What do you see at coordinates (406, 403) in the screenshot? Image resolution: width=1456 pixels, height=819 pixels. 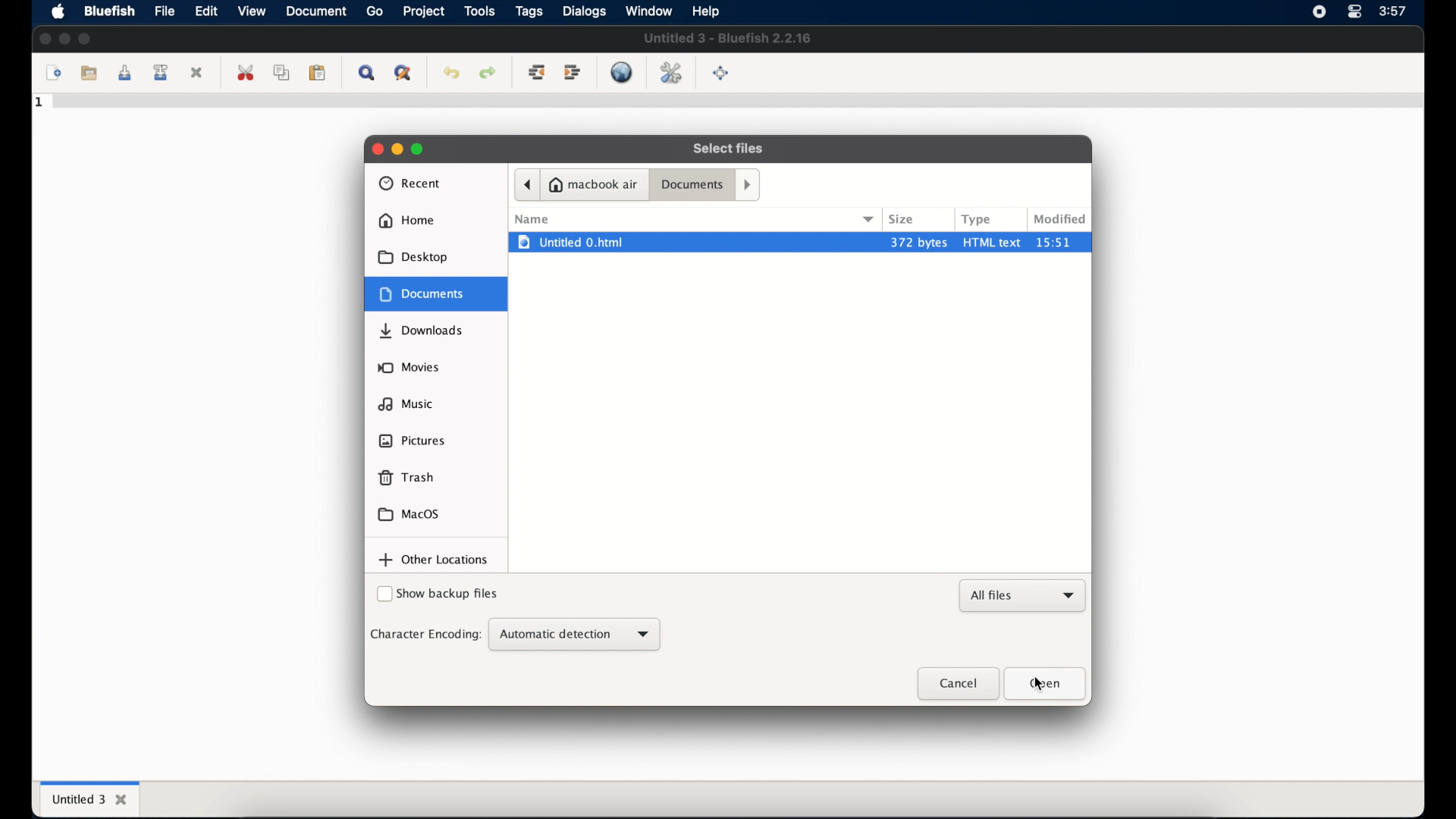 I see `music` at bounding box center [406, 403].